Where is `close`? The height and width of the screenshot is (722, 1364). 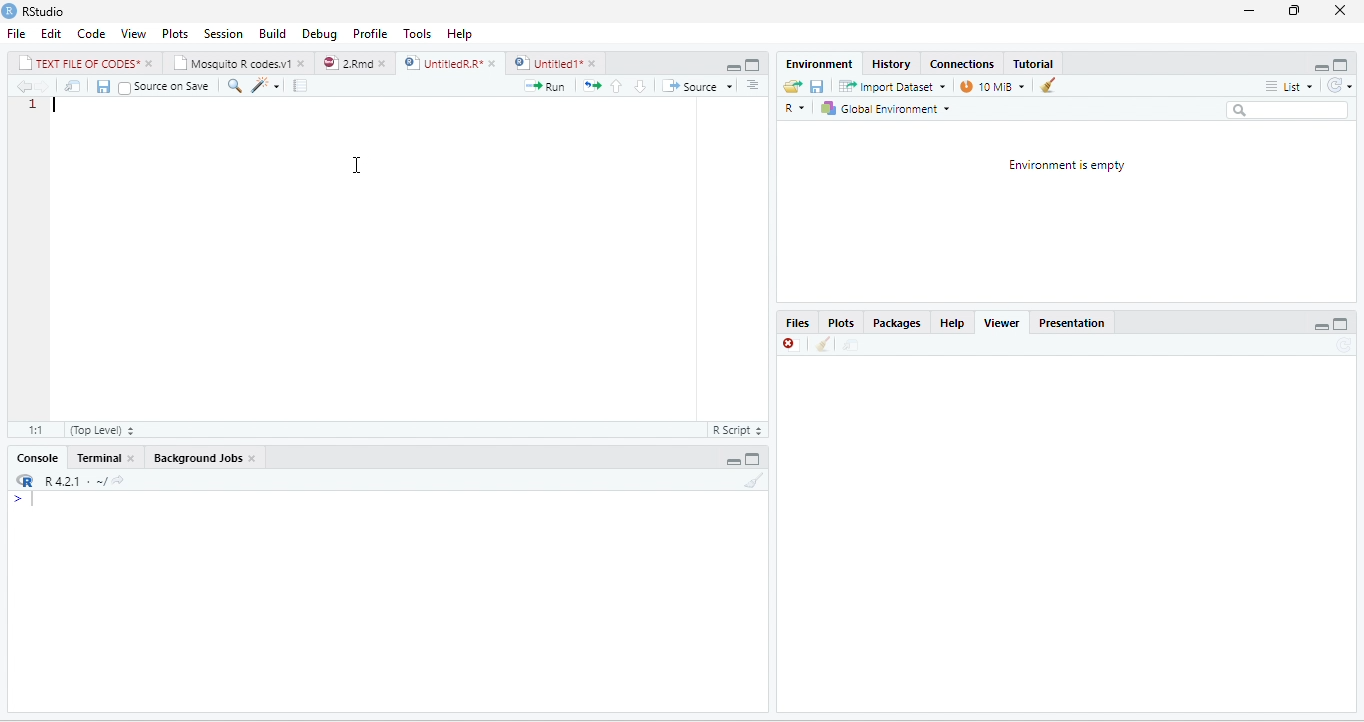
close is located at coordinates (790, 346).